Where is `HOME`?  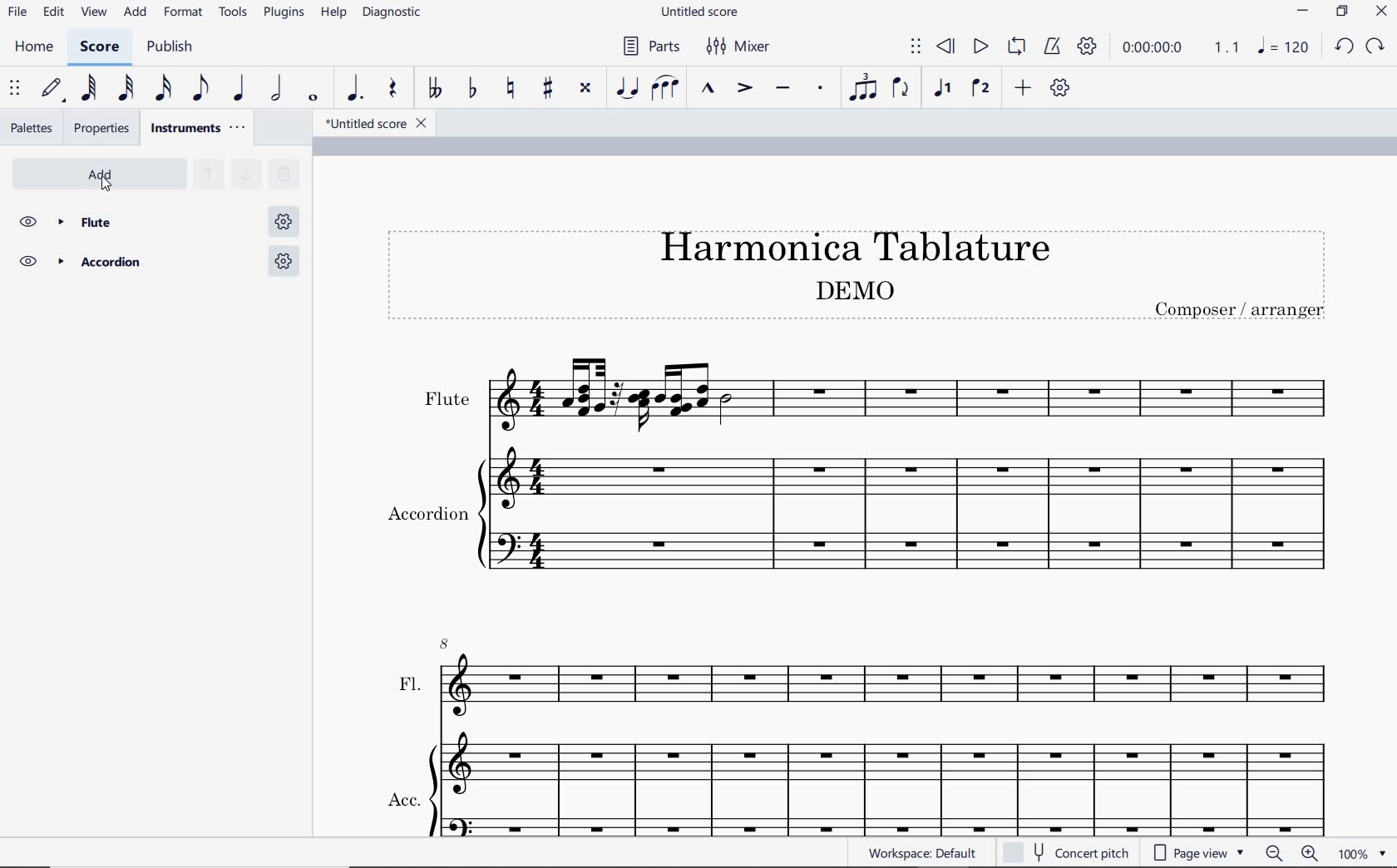 HOME is located at coordinates (34, 49).